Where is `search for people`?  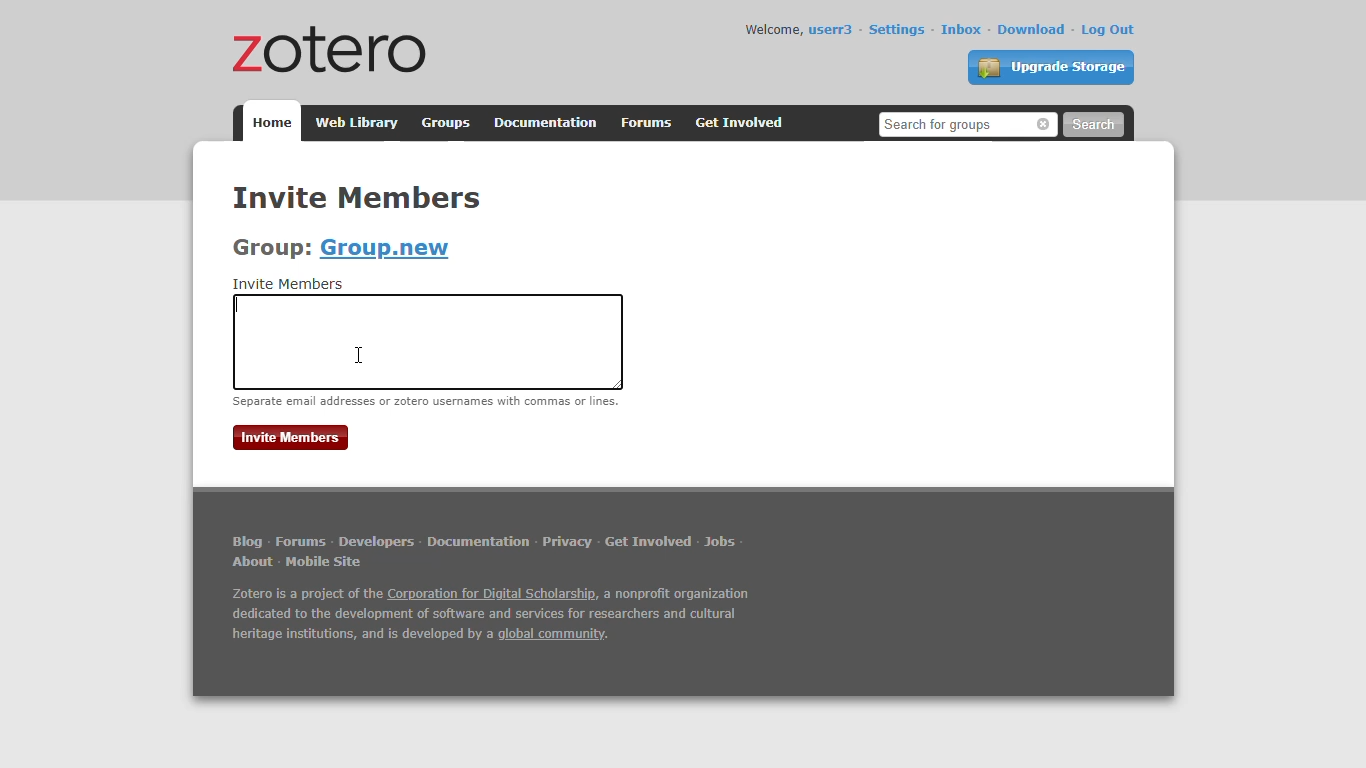
search for people is located at coordinates (966, 124).